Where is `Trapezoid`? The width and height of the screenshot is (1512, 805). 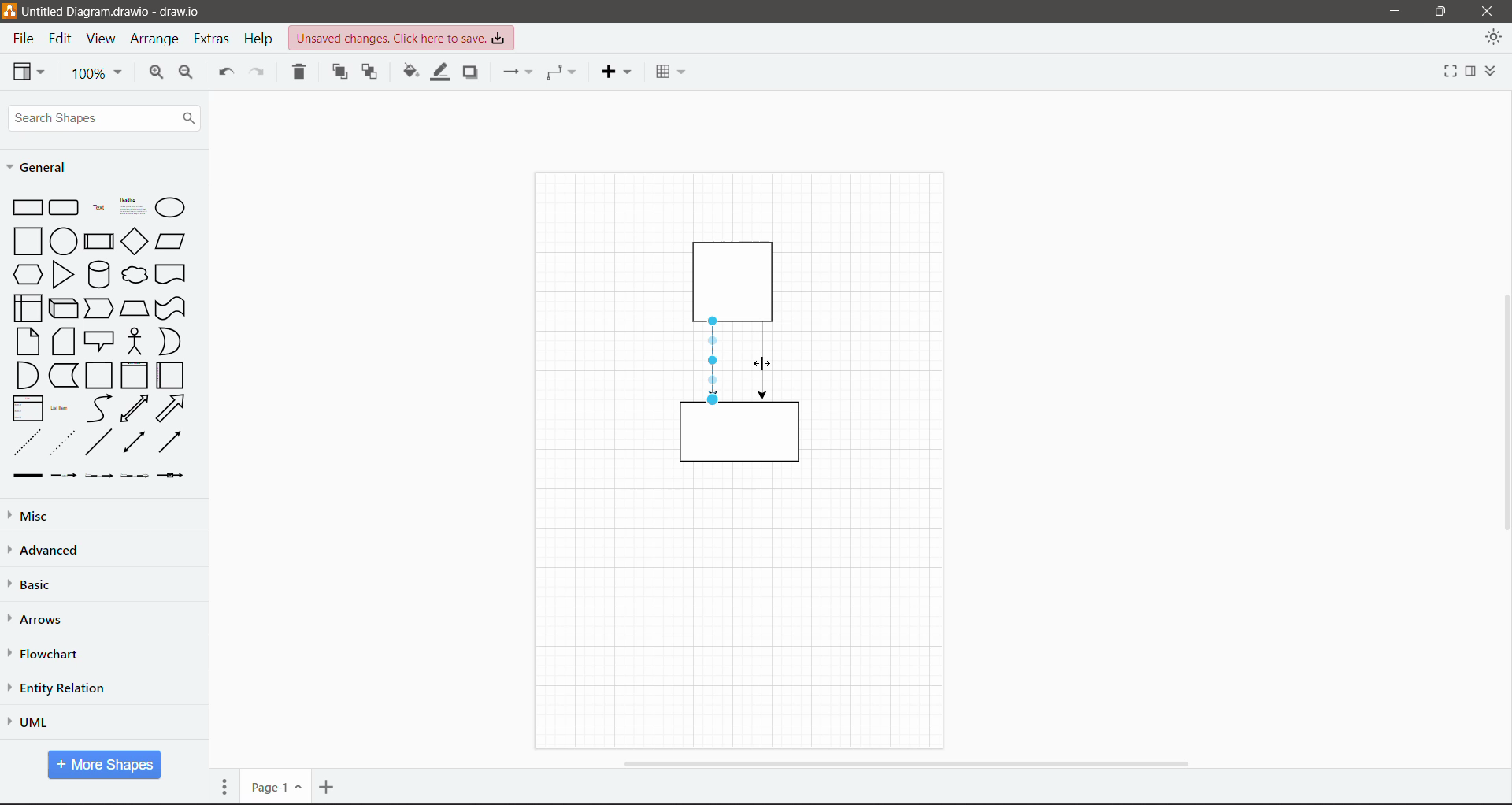 Trapezoid is located at coordinates (134, 306).